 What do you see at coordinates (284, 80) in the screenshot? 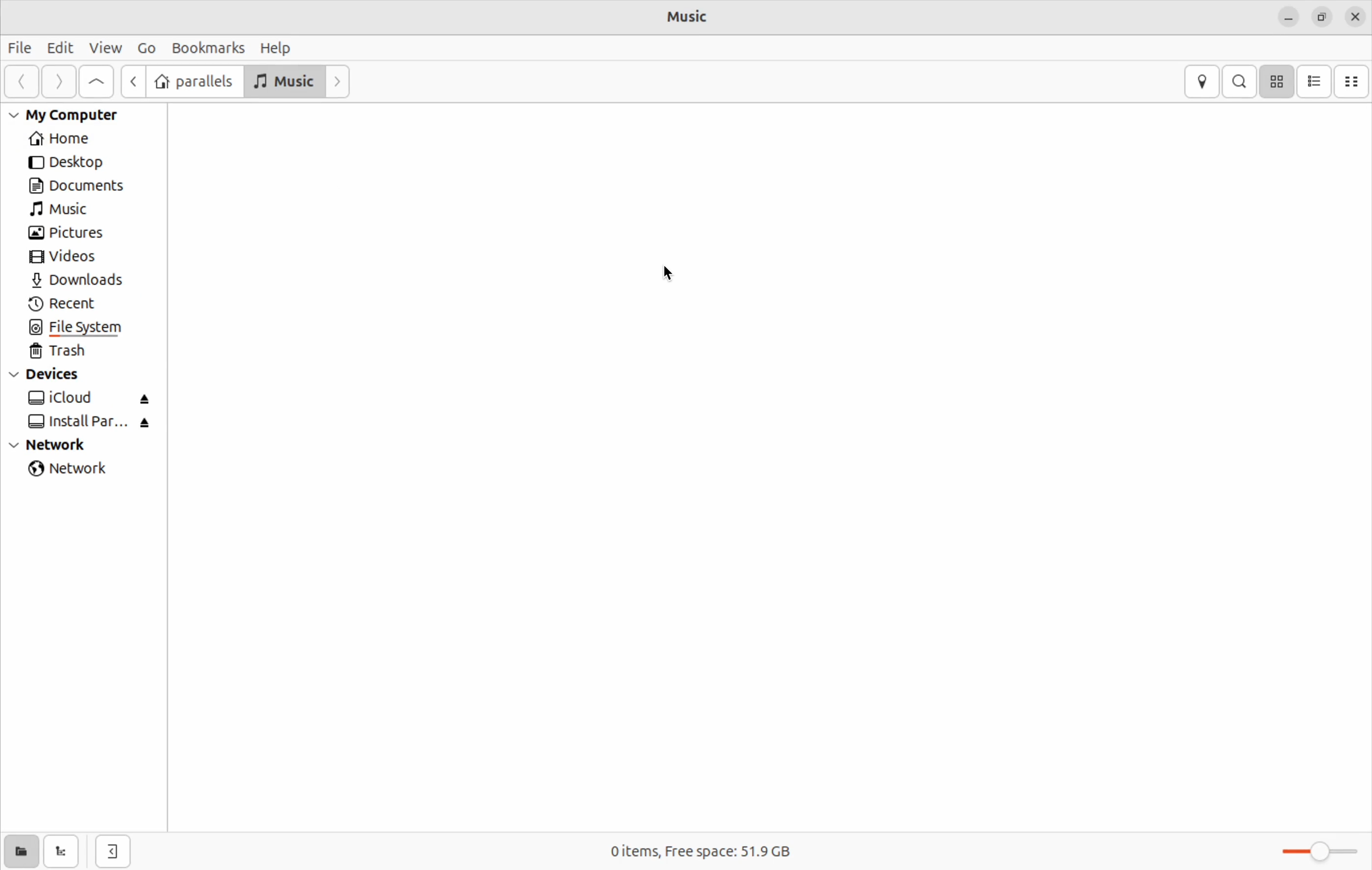
I see `music` at bounding box center [284, 80].